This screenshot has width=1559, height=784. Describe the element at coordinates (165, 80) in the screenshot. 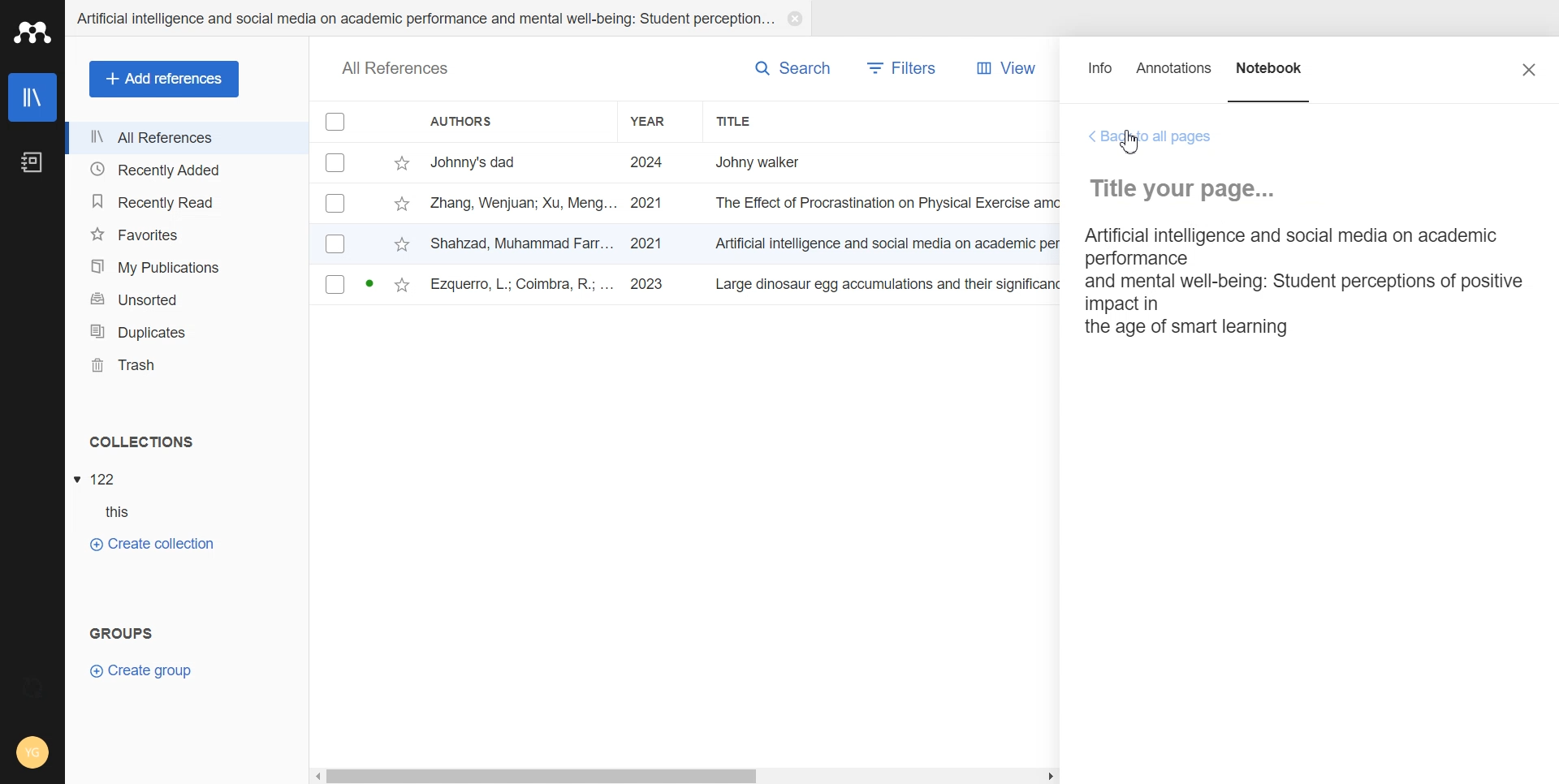

I see `Add references` at that location.